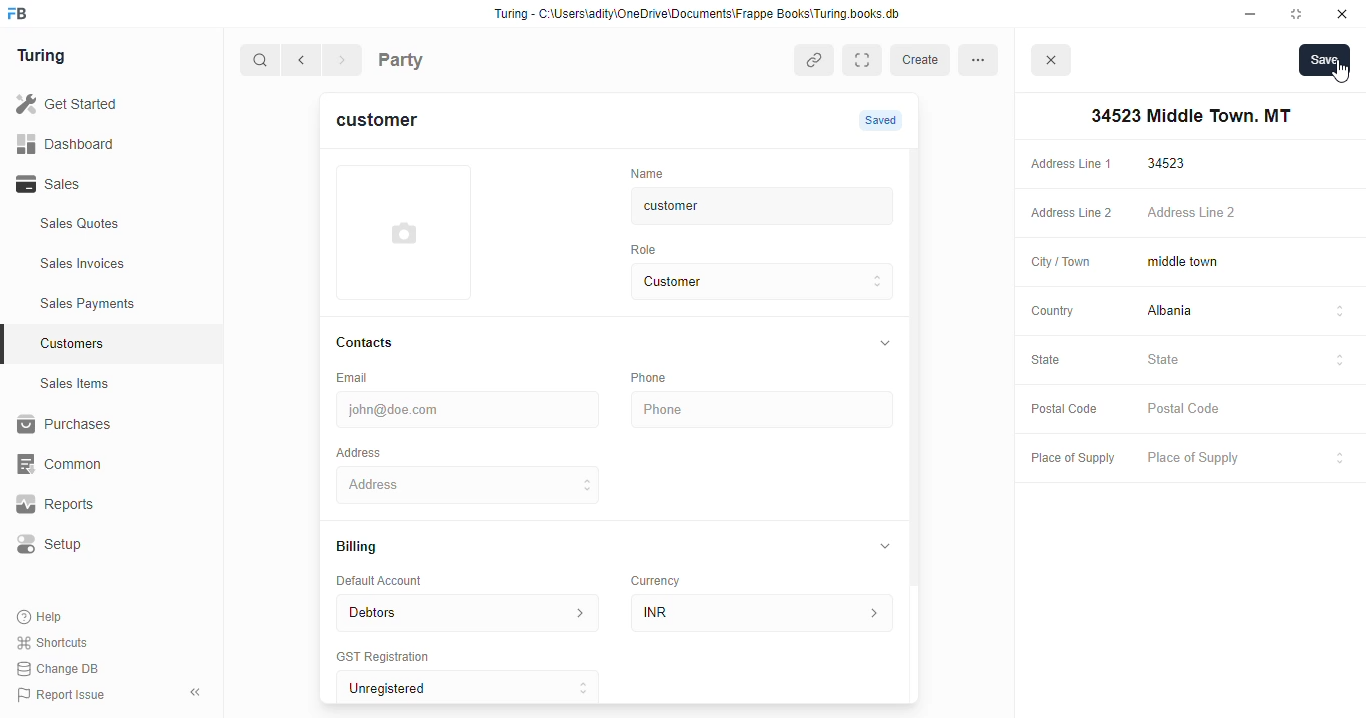  I want to click on INR, so click(766, 612).